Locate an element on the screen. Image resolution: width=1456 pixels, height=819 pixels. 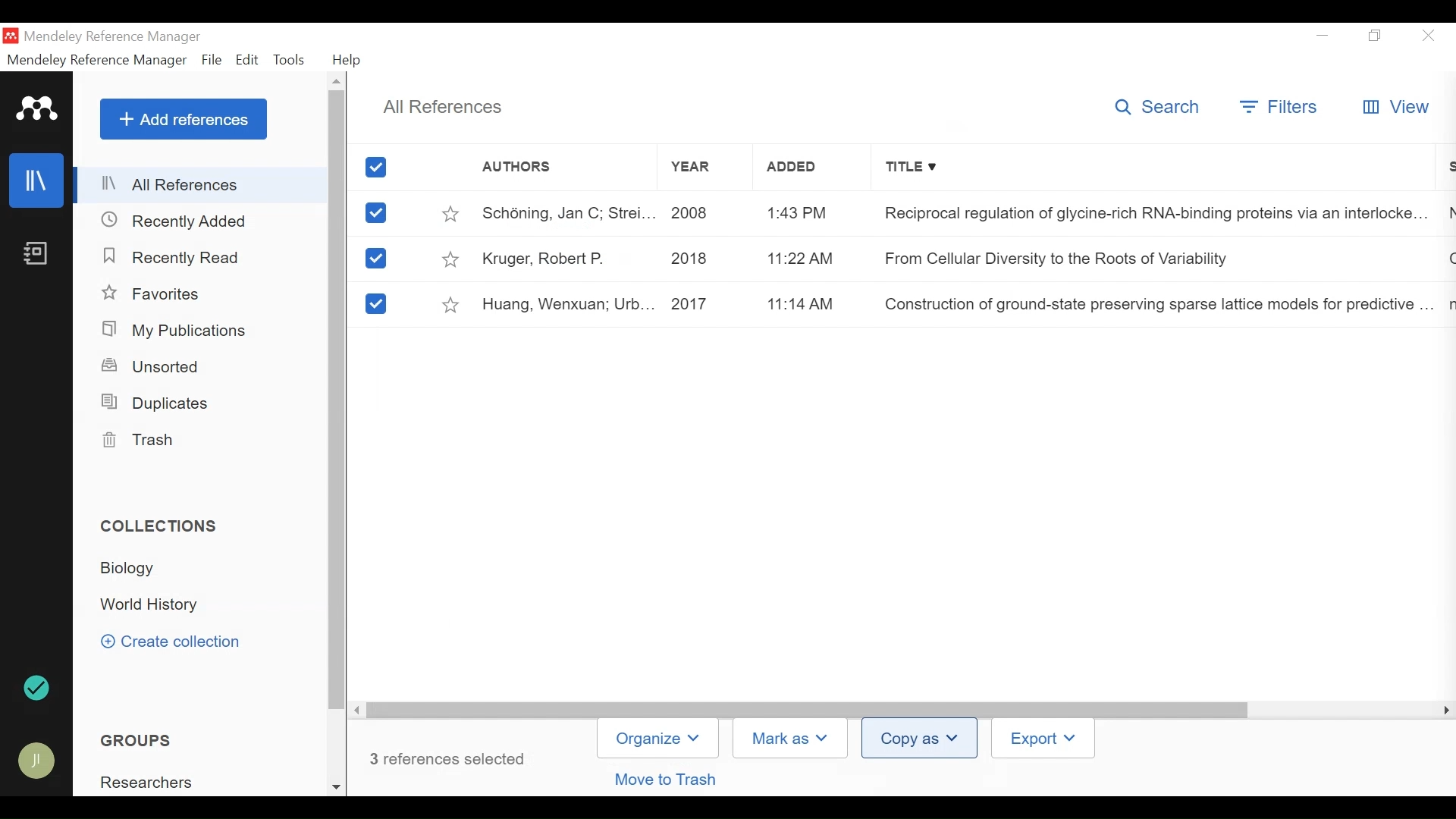
Scroll down is located at coordinates (336, 785).